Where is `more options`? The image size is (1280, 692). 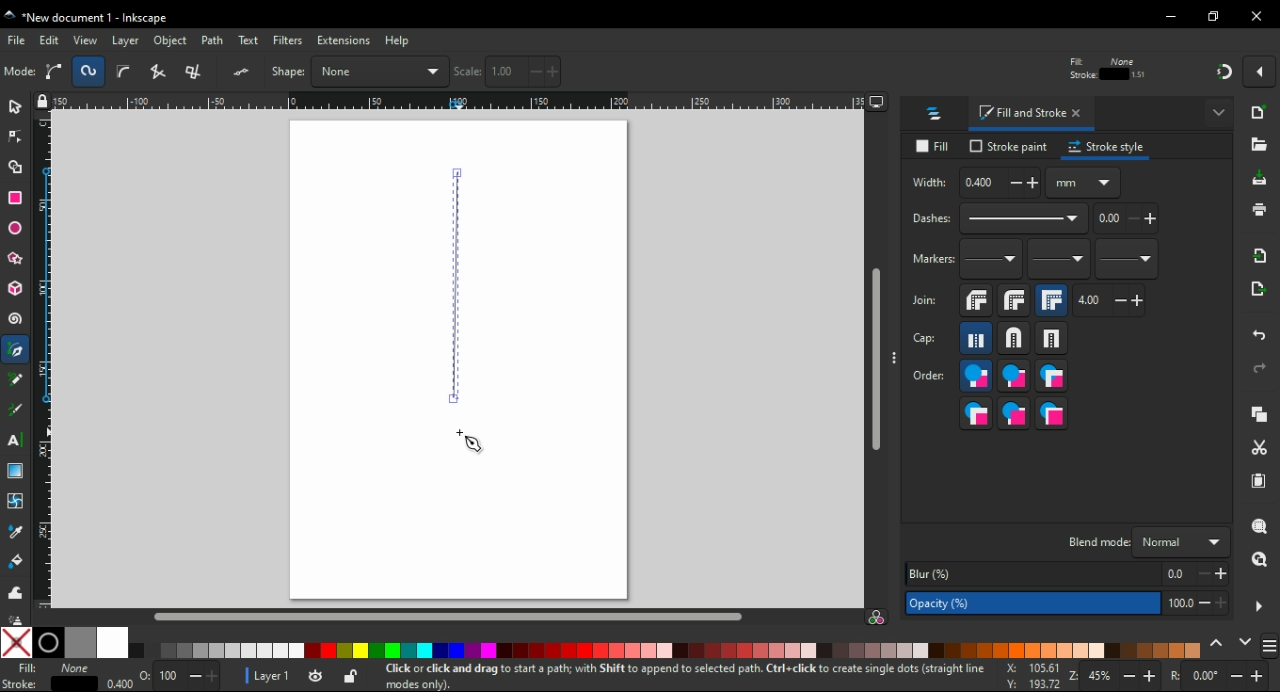
more options is located at coordinates (1220, 111).